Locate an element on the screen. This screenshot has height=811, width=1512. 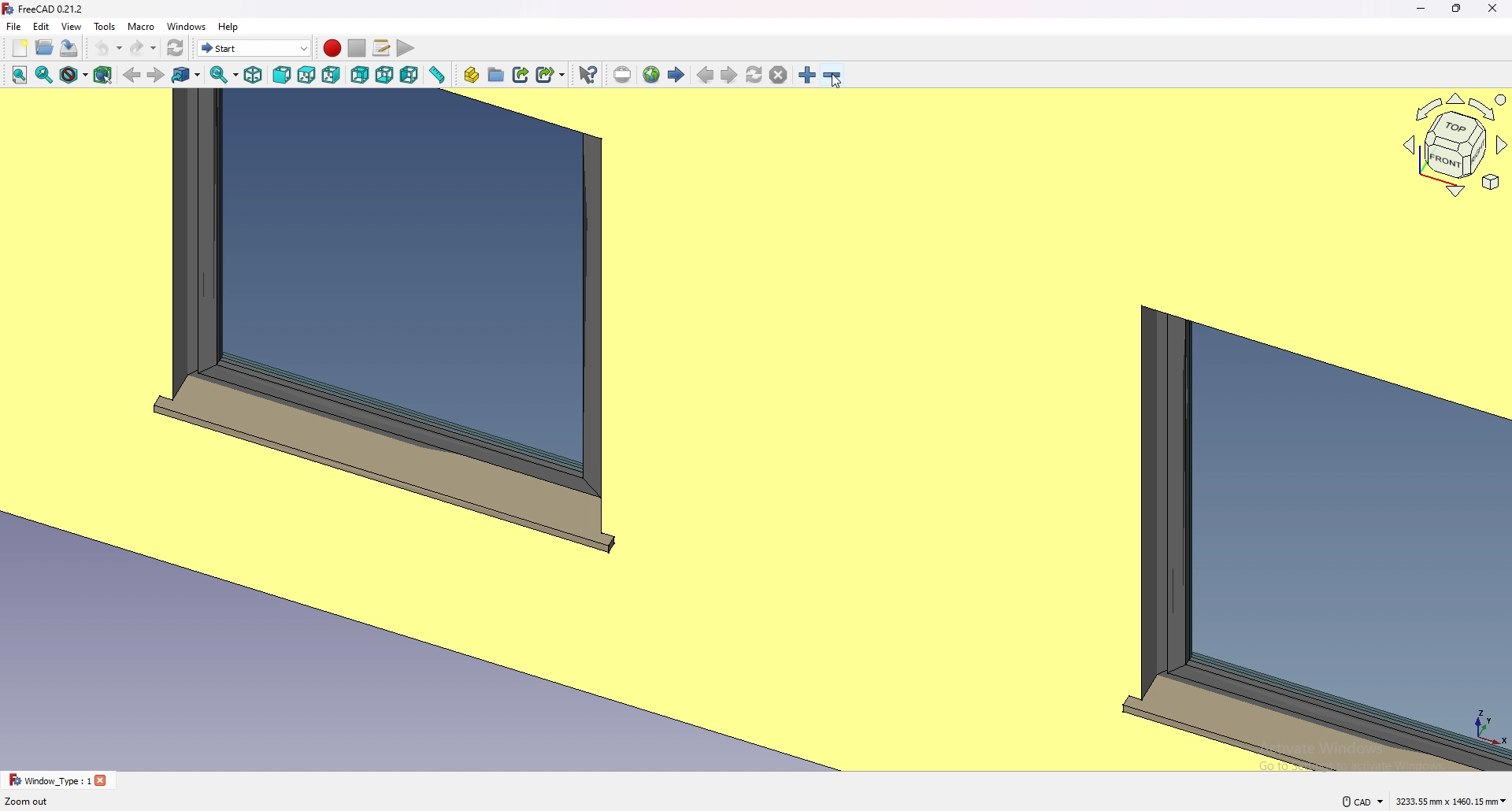
axis is located at coordinates (1487, 724).